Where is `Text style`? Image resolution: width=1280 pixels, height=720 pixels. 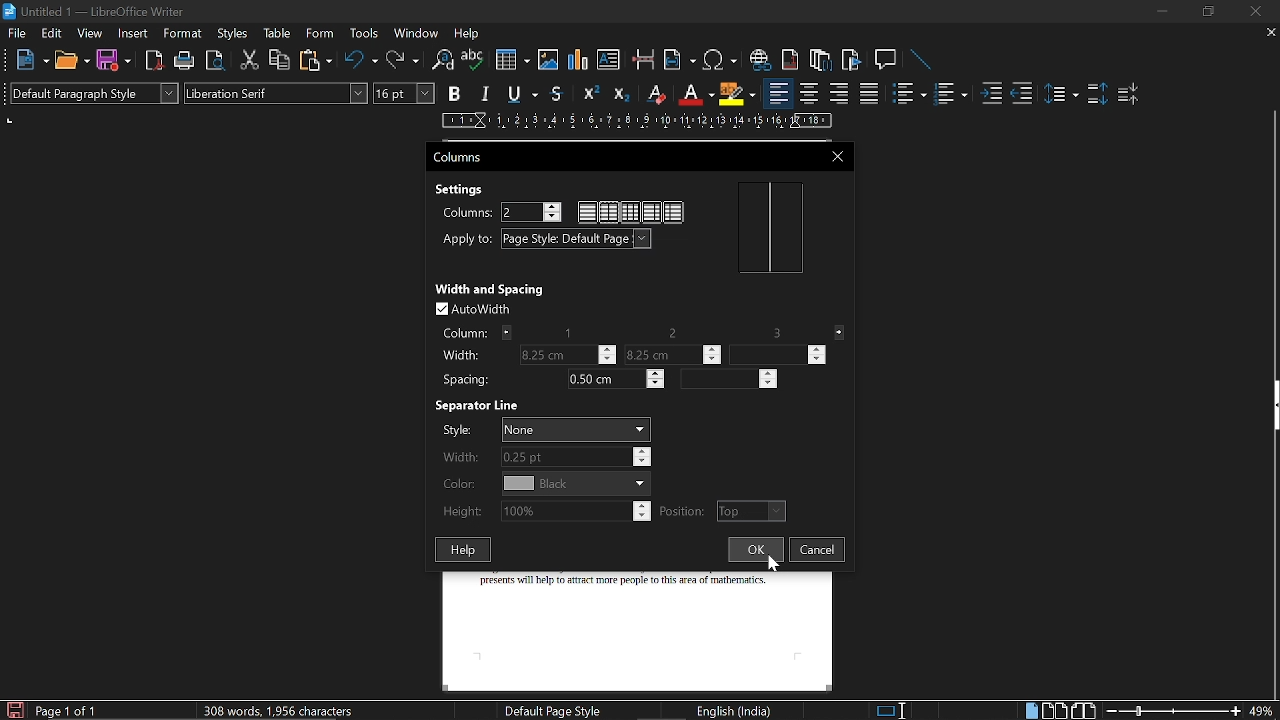
Text style is located at coordinates (276, 92).